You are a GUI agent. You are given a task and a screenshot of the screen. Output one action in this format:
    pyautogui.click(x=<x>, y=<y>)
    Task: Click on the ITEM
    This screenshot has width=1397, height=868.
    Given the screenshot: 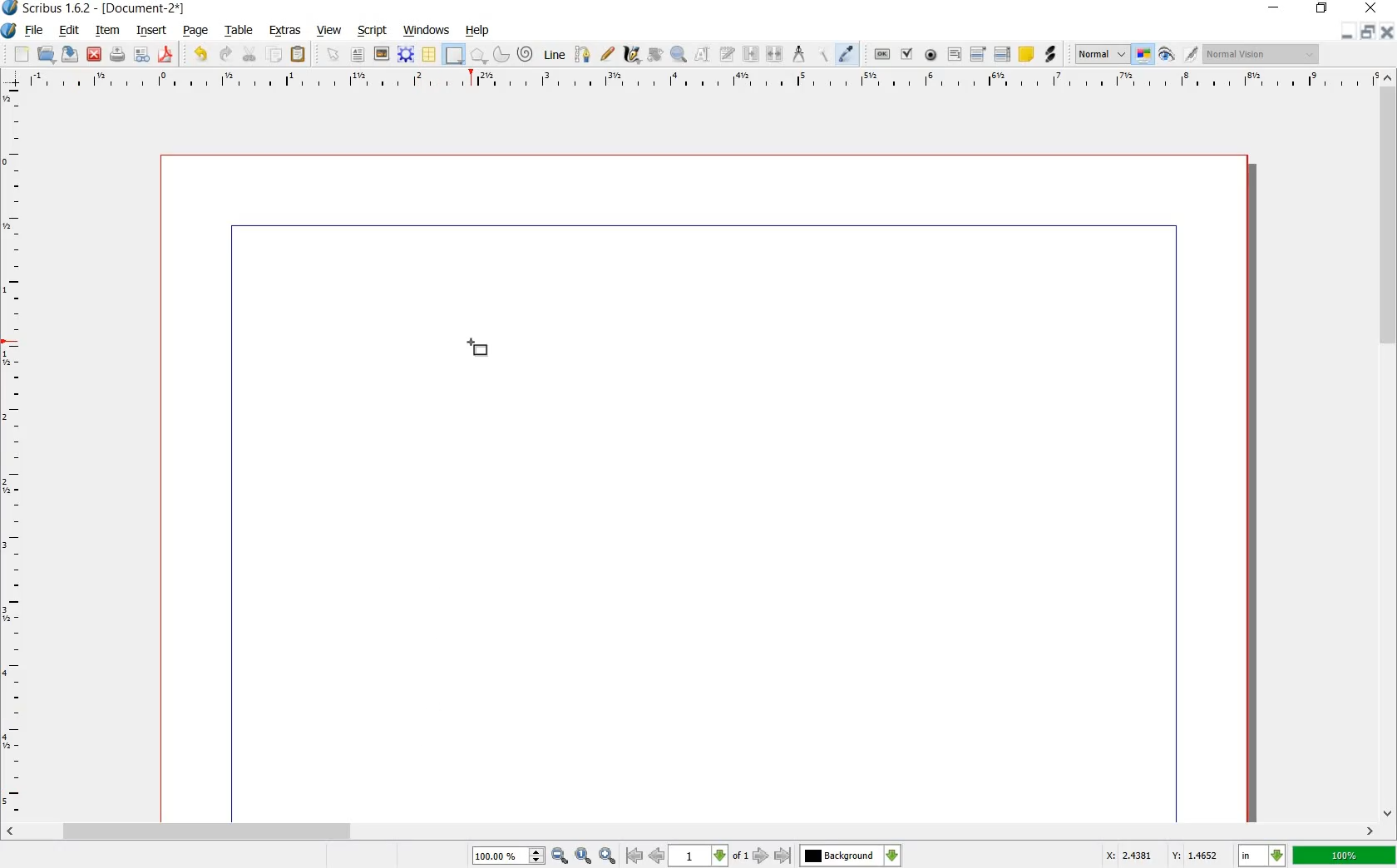 What is the action you would take?
    pyautogui.click(x=106, y=31)
    